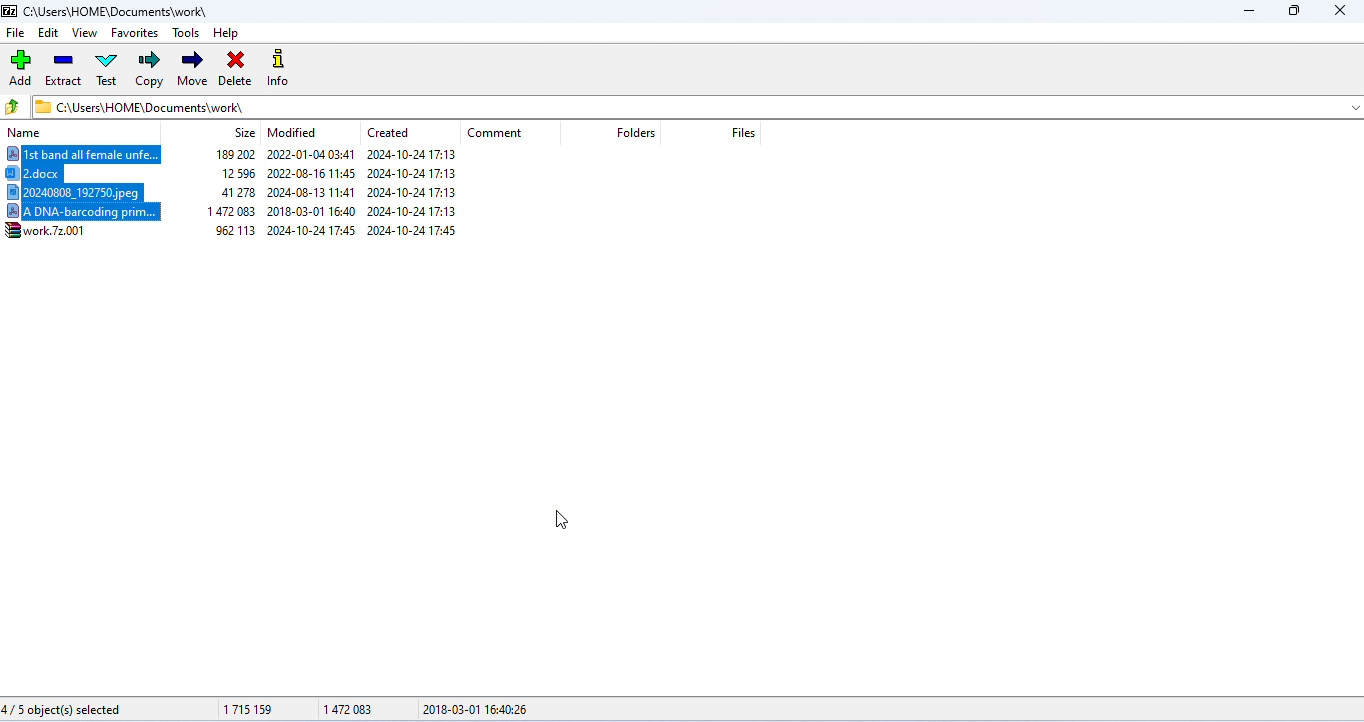  I want to click on CAUsers\HOME\Documents\work\, so click(106, 11).